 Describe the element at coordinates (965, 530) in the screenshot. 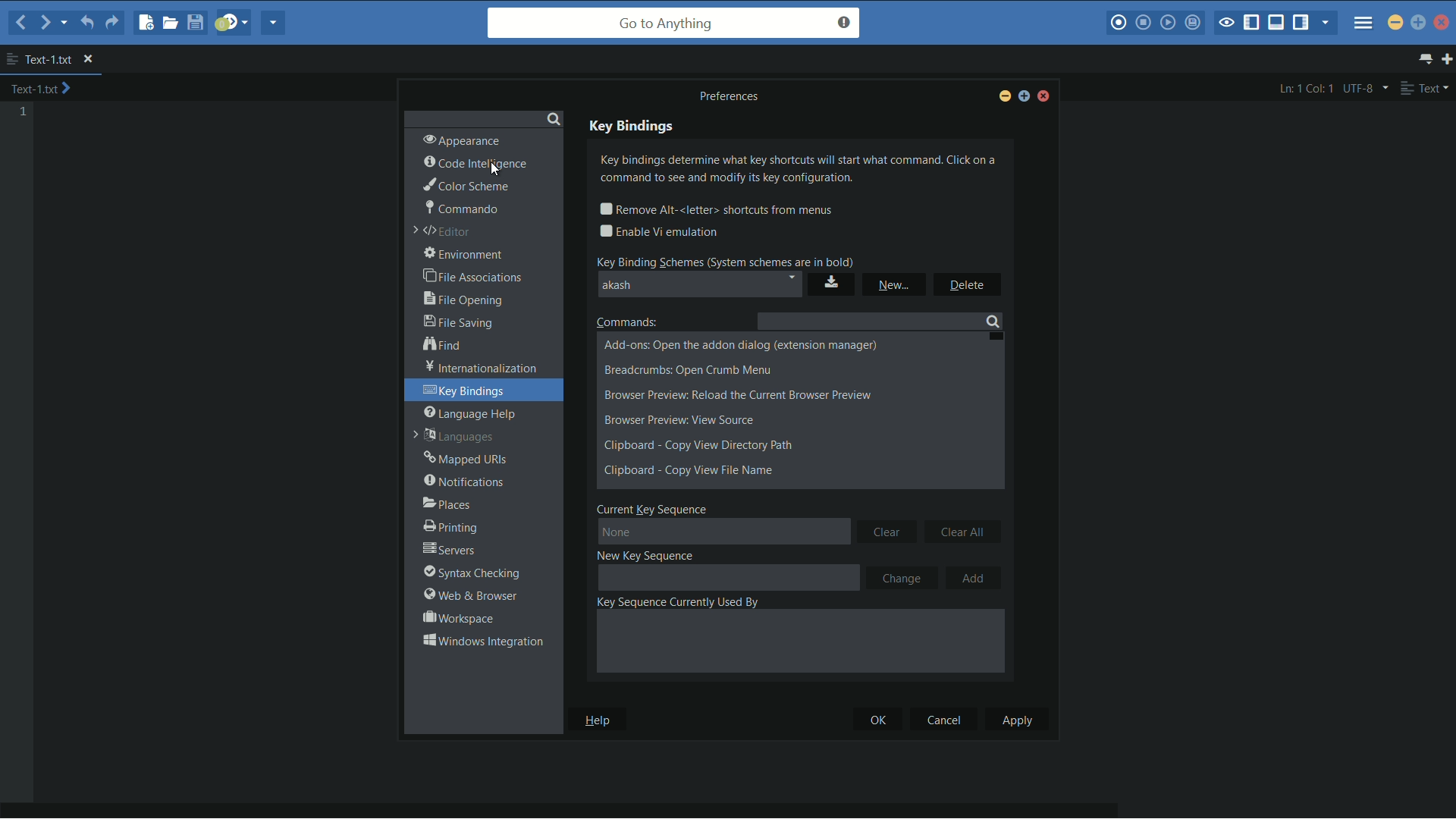

I see `clear all` at that location.